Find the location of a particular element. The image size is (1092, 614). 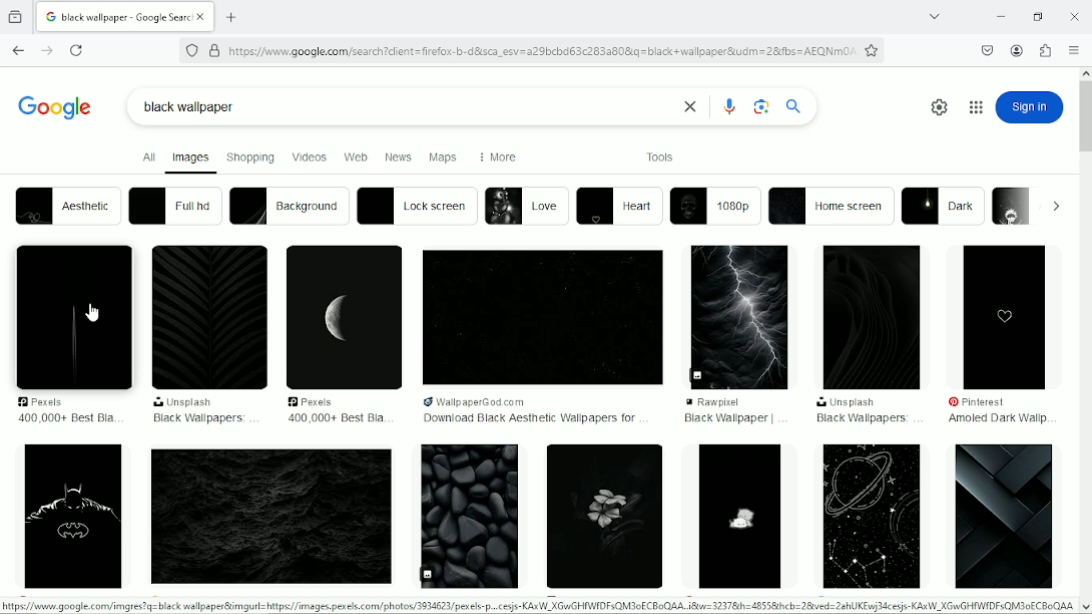

image is located at coordinates (1013, 205).